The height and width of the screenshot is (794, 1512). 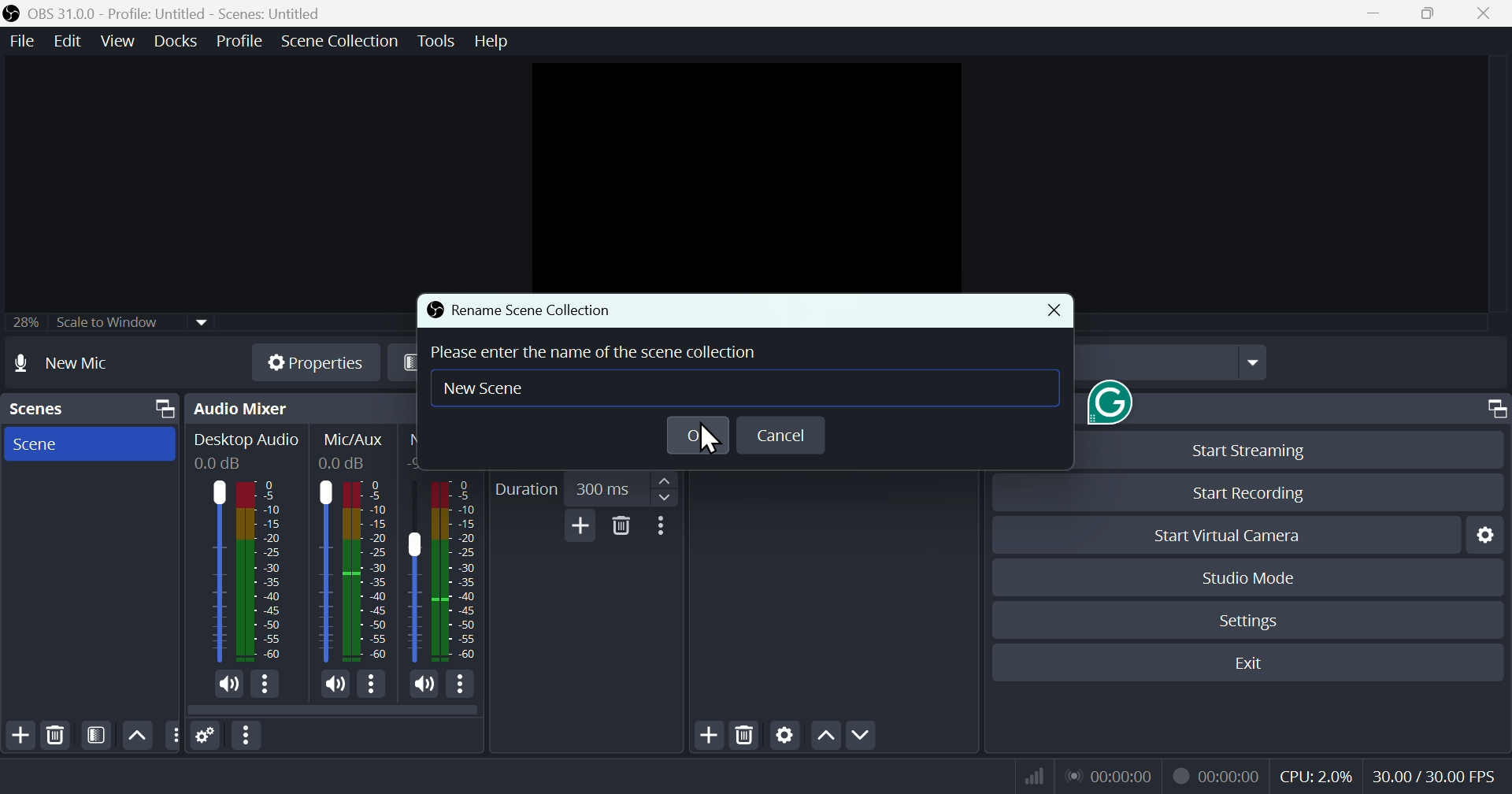 What do you see at coordinates (437, 44) in the screenshot?
I see `Tools` at bounding box center [437, 44].